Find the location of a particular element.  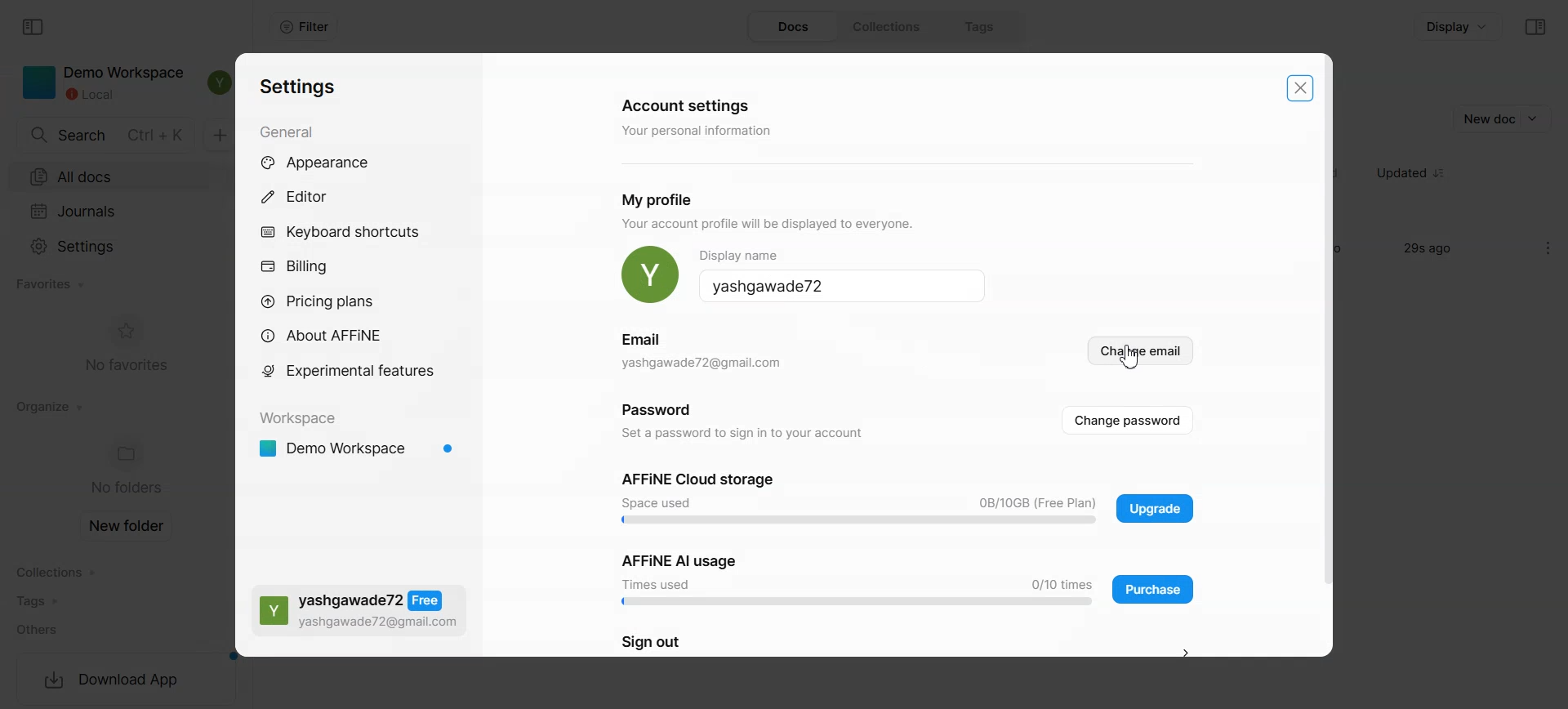

sign out is located at coordinates (651, 642).